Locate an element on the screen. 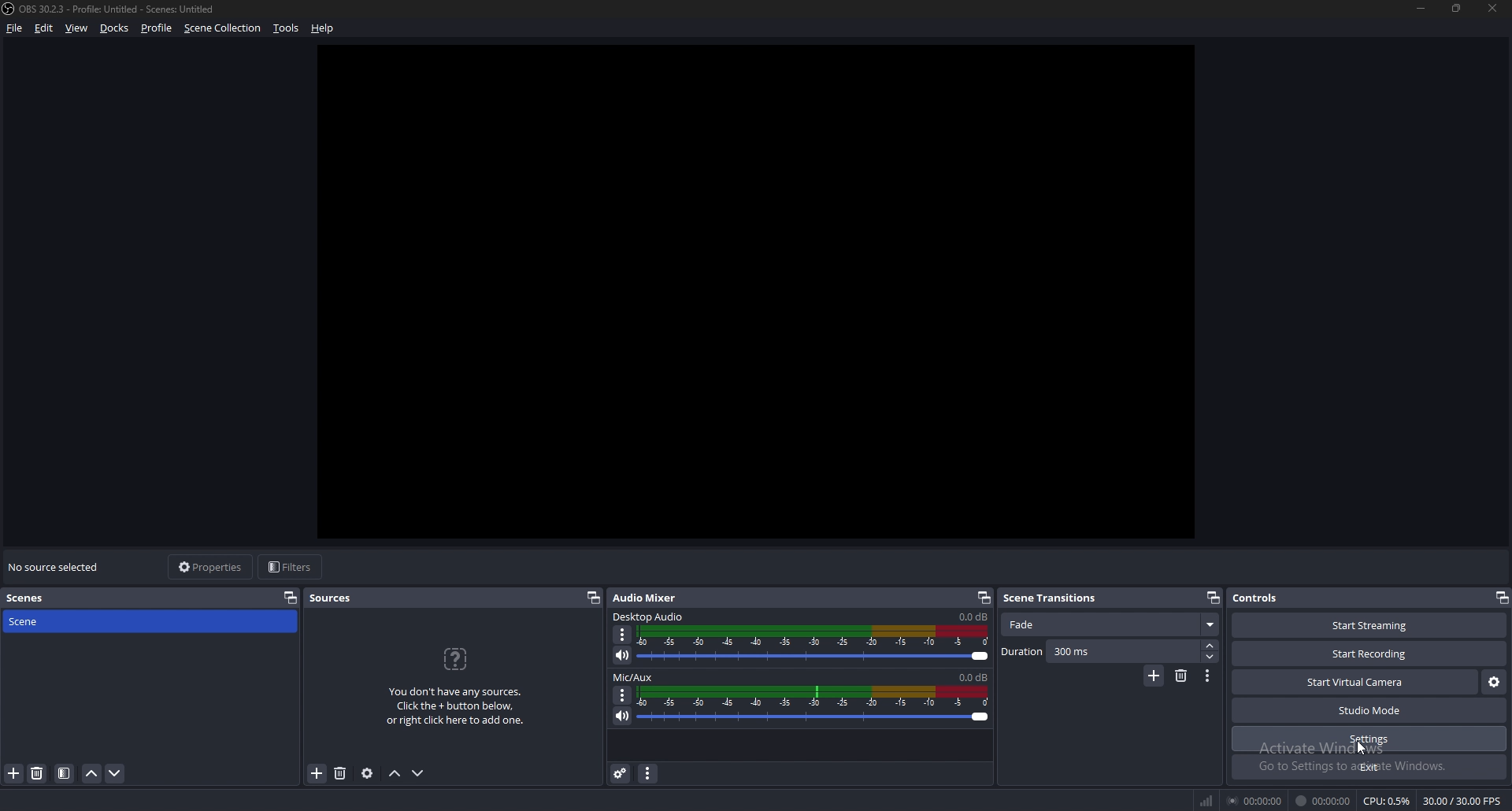  scene filter is located at coordinates (63, 773).